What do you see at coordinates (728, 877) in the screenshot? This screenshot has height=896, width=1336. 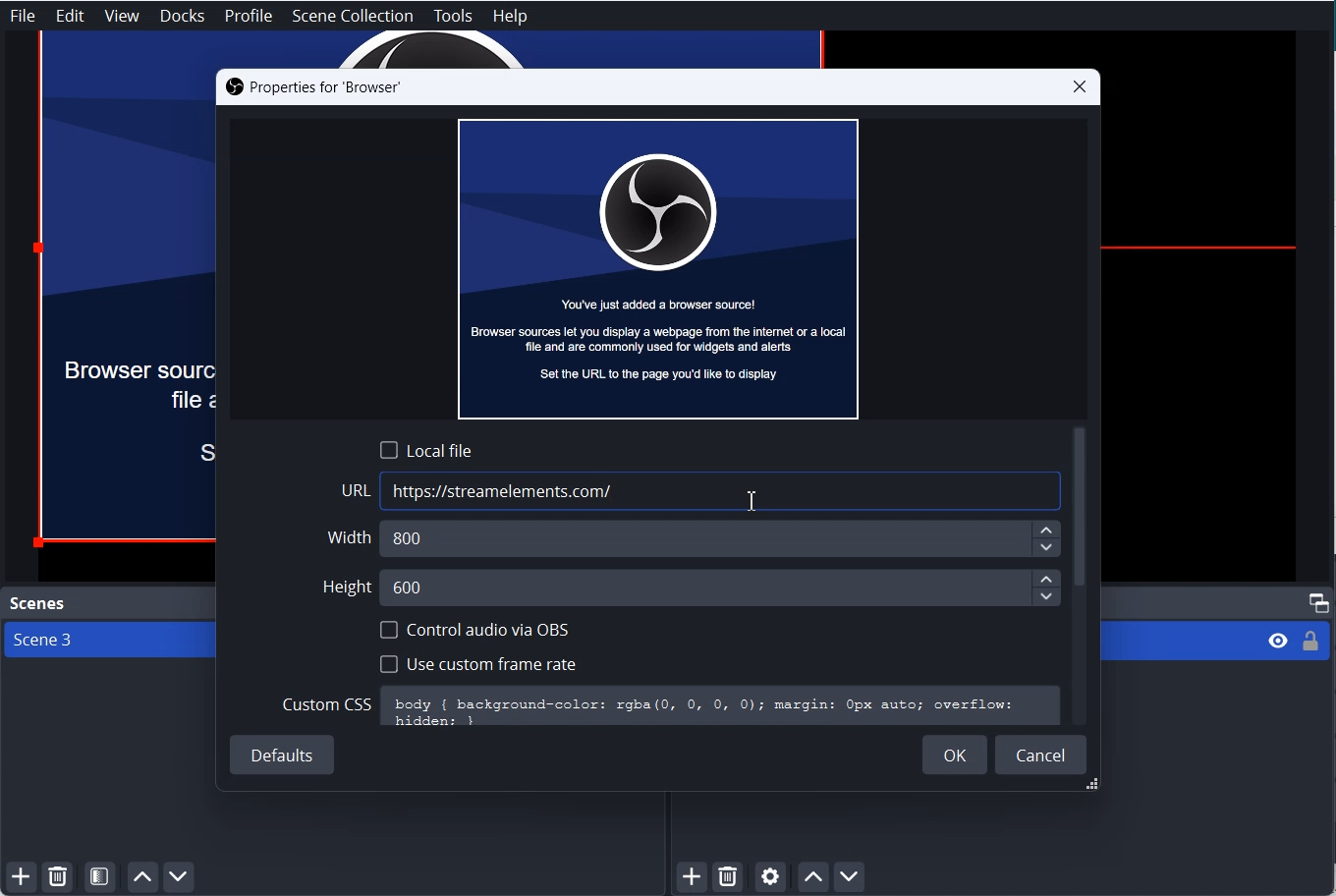 I see `Remove selected Source` at bounding box center [728, 877].